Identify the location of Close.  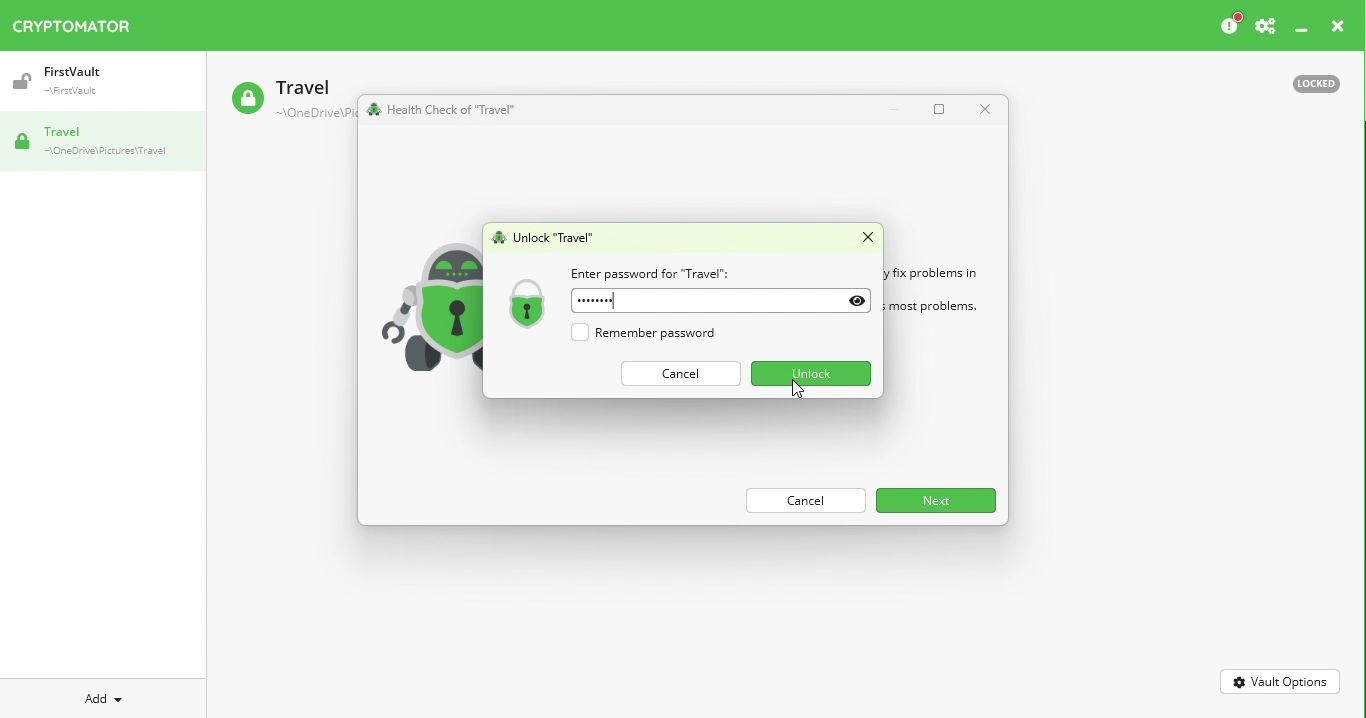
(985, 110).